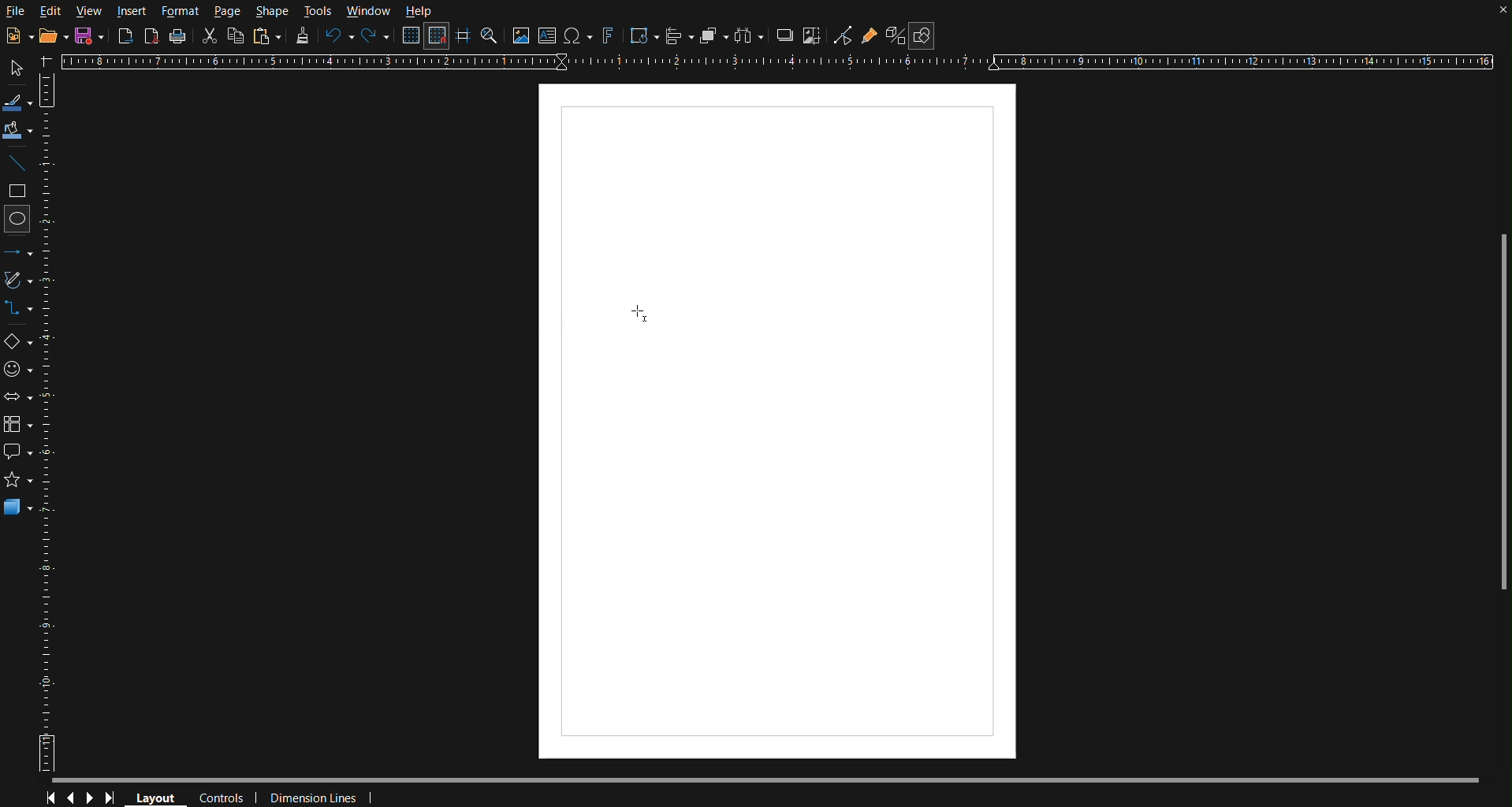  I want to click on Line, so click(20, 164).